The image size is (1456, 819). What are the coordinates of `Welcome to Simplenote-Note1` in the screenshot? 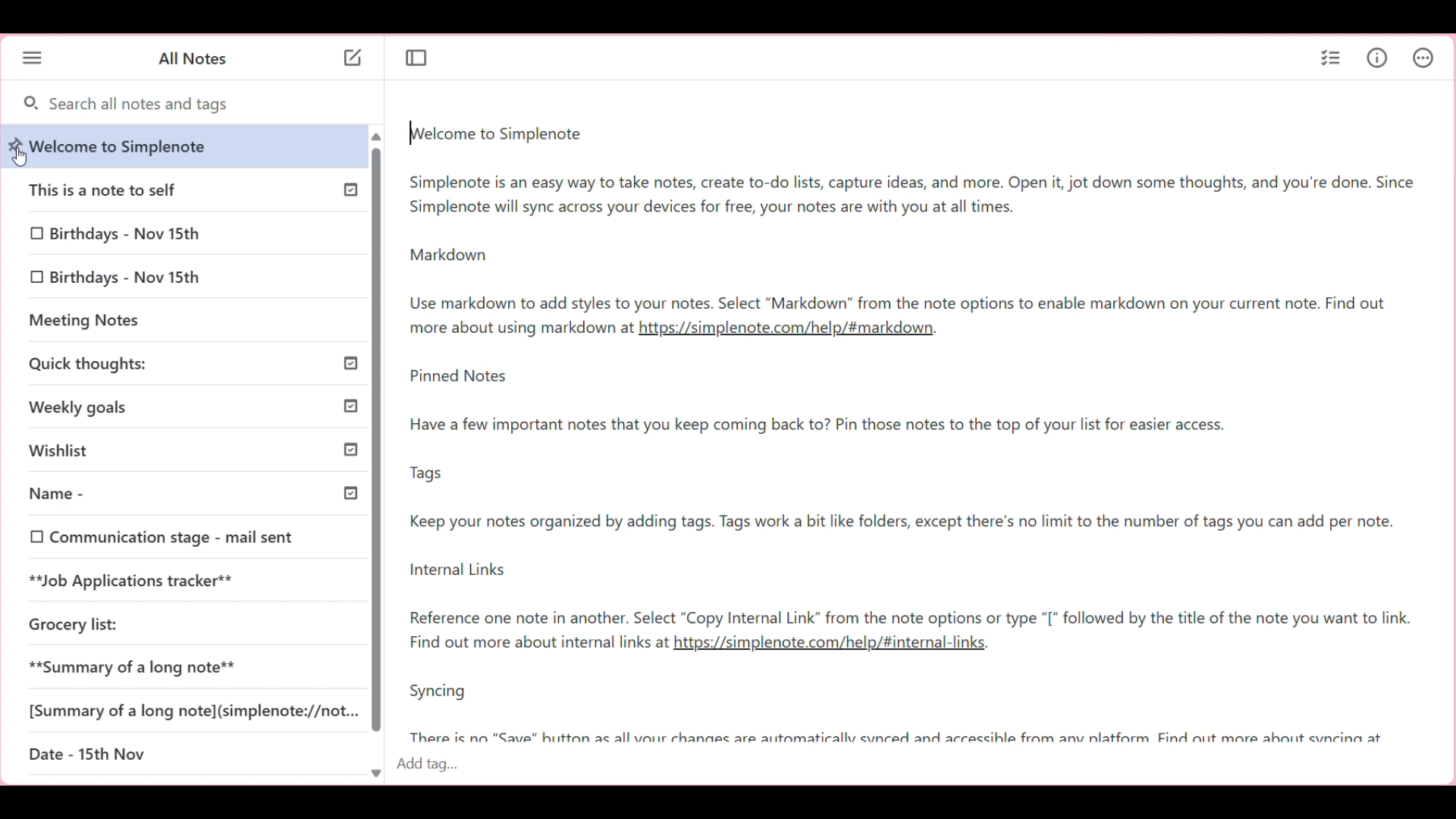 It's located at (912, 217).